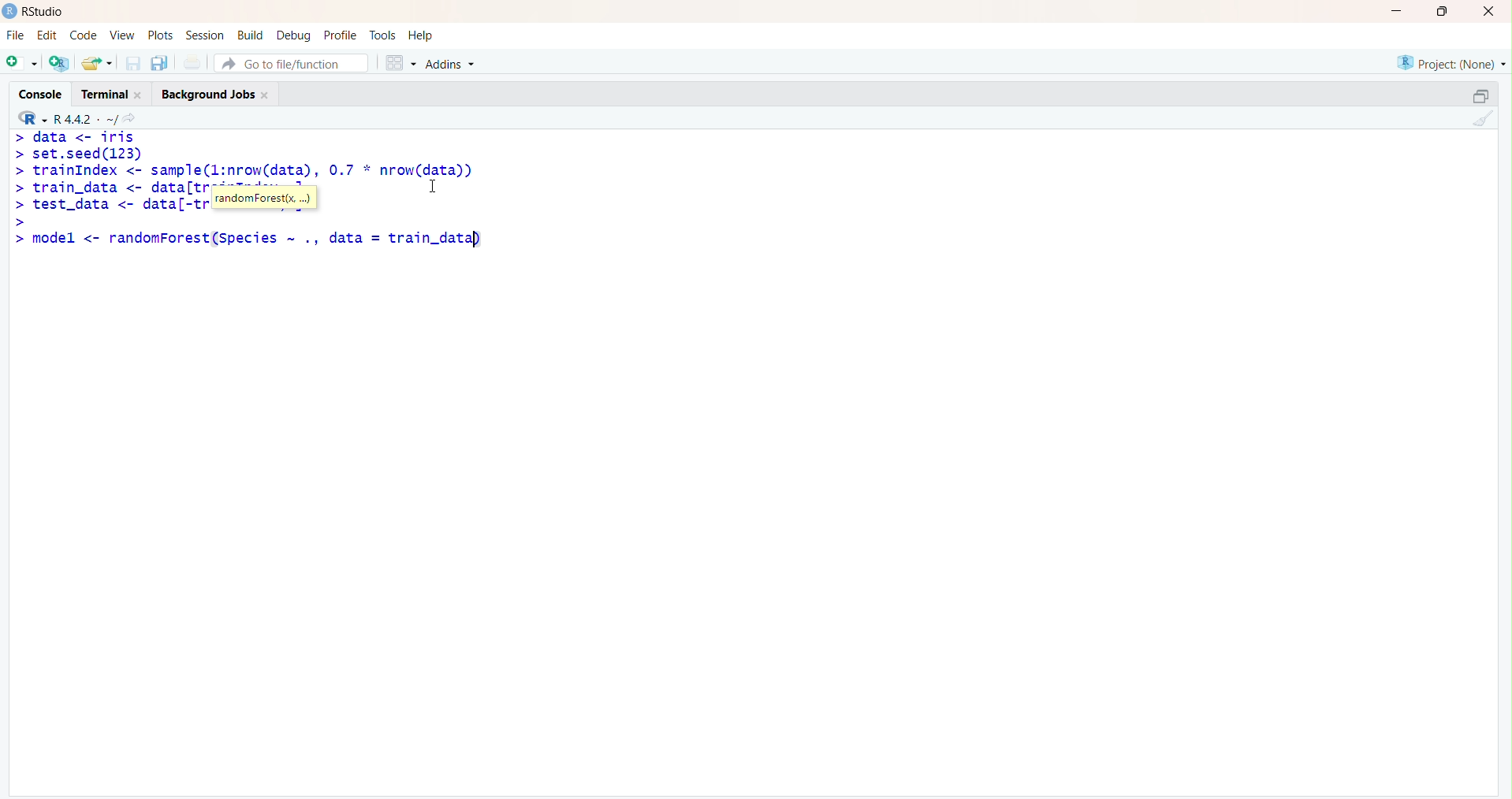 This screenshot has width=1512, height=799. Describe the element at coordinates (15, 35) in the screenshot. I see `File` at that location.